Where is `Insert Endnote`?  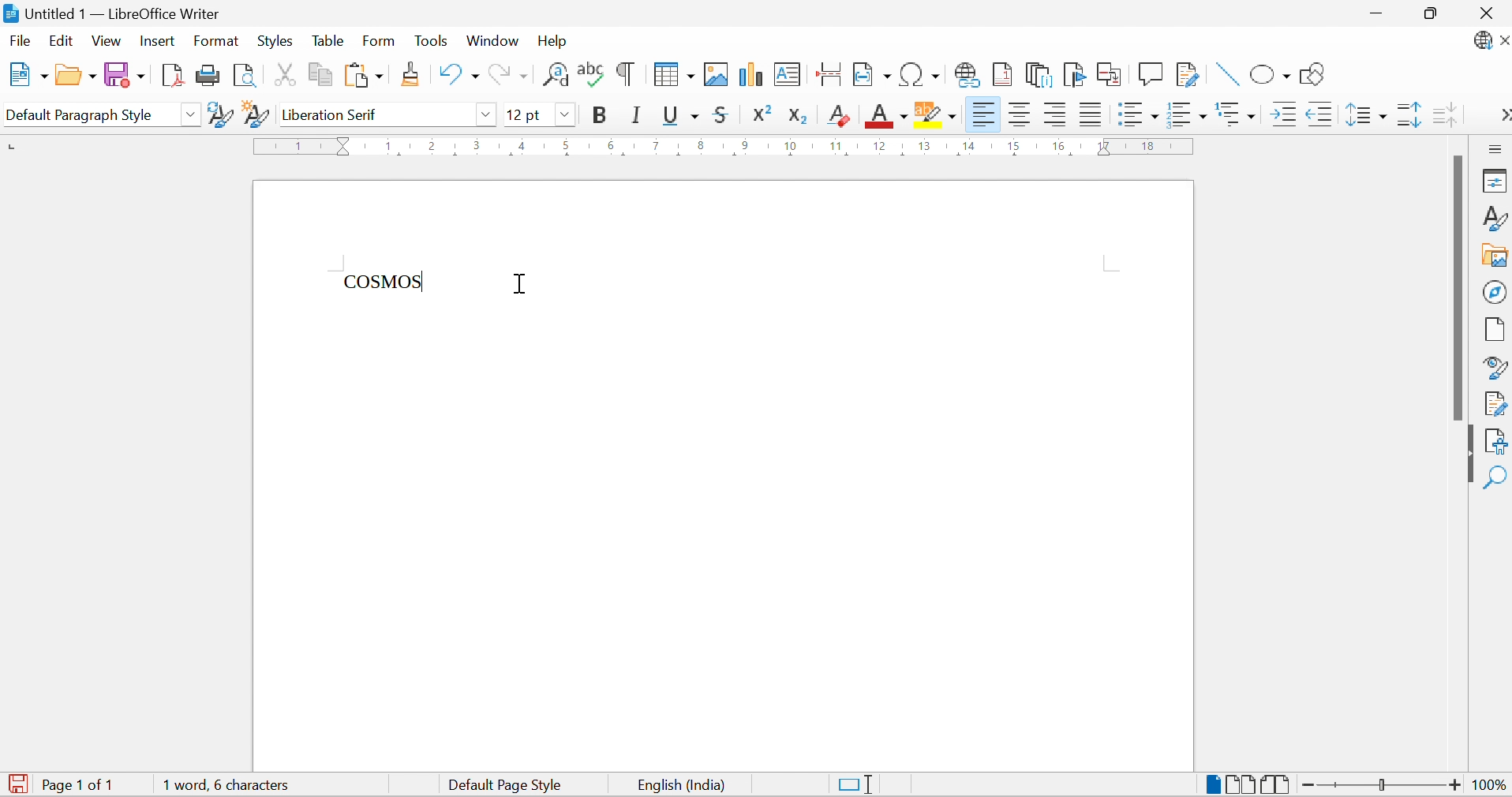
Insert Endnote is located at coordinates (1039, 74).